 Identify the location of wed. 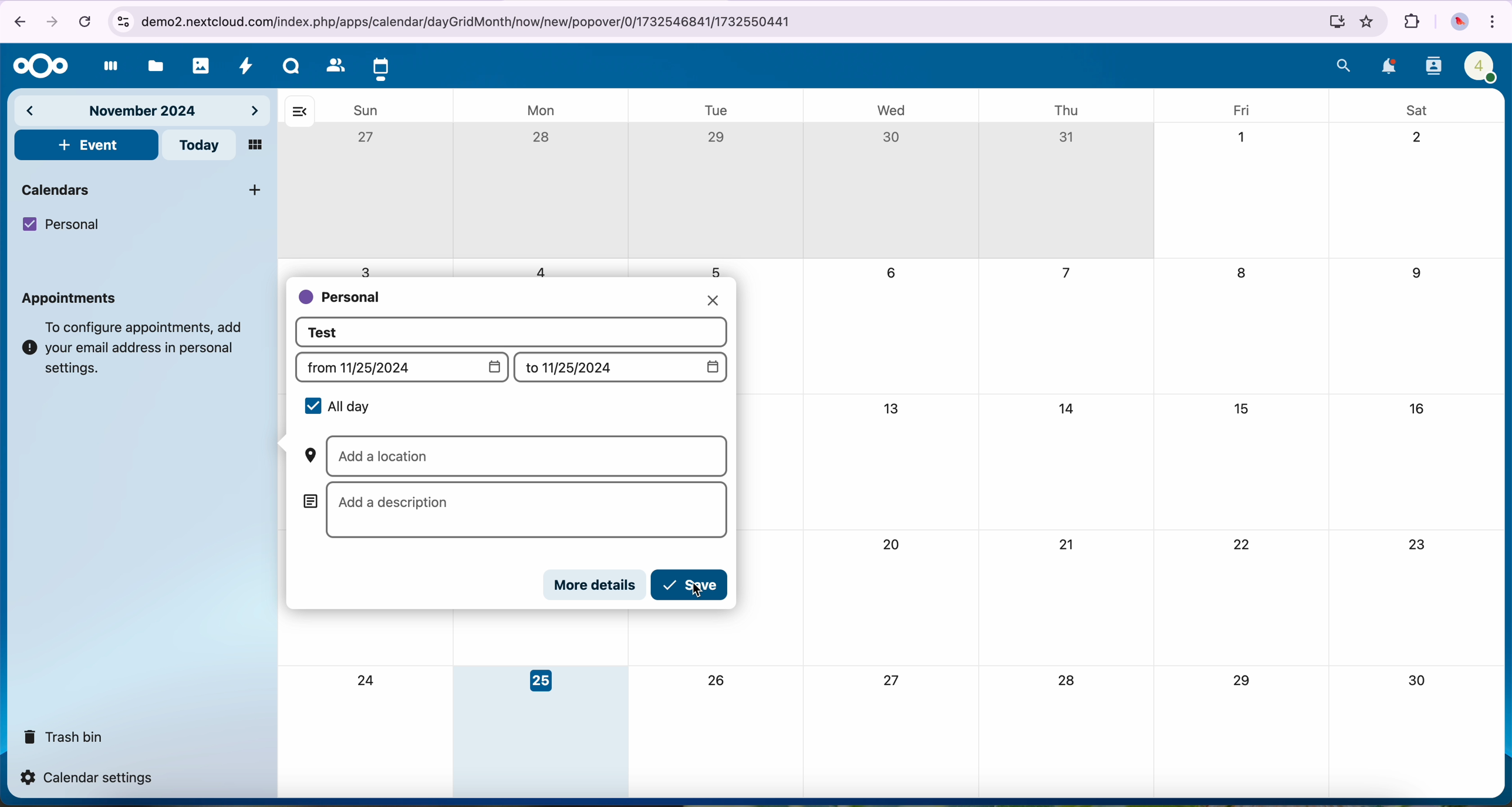
(890, 109).